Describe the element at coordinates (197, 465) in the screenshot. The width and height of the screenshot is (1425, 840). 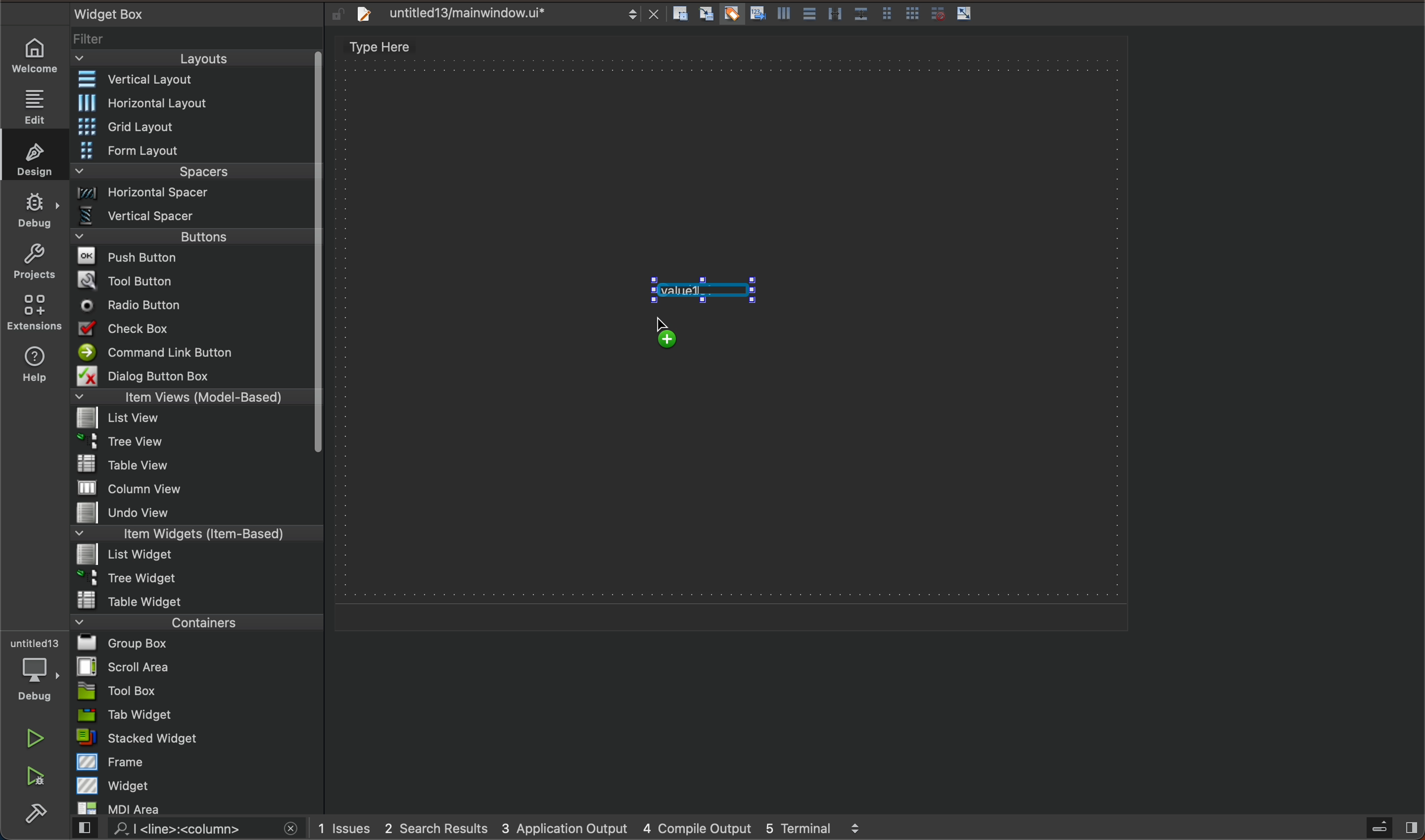
I see `table view` at that location.